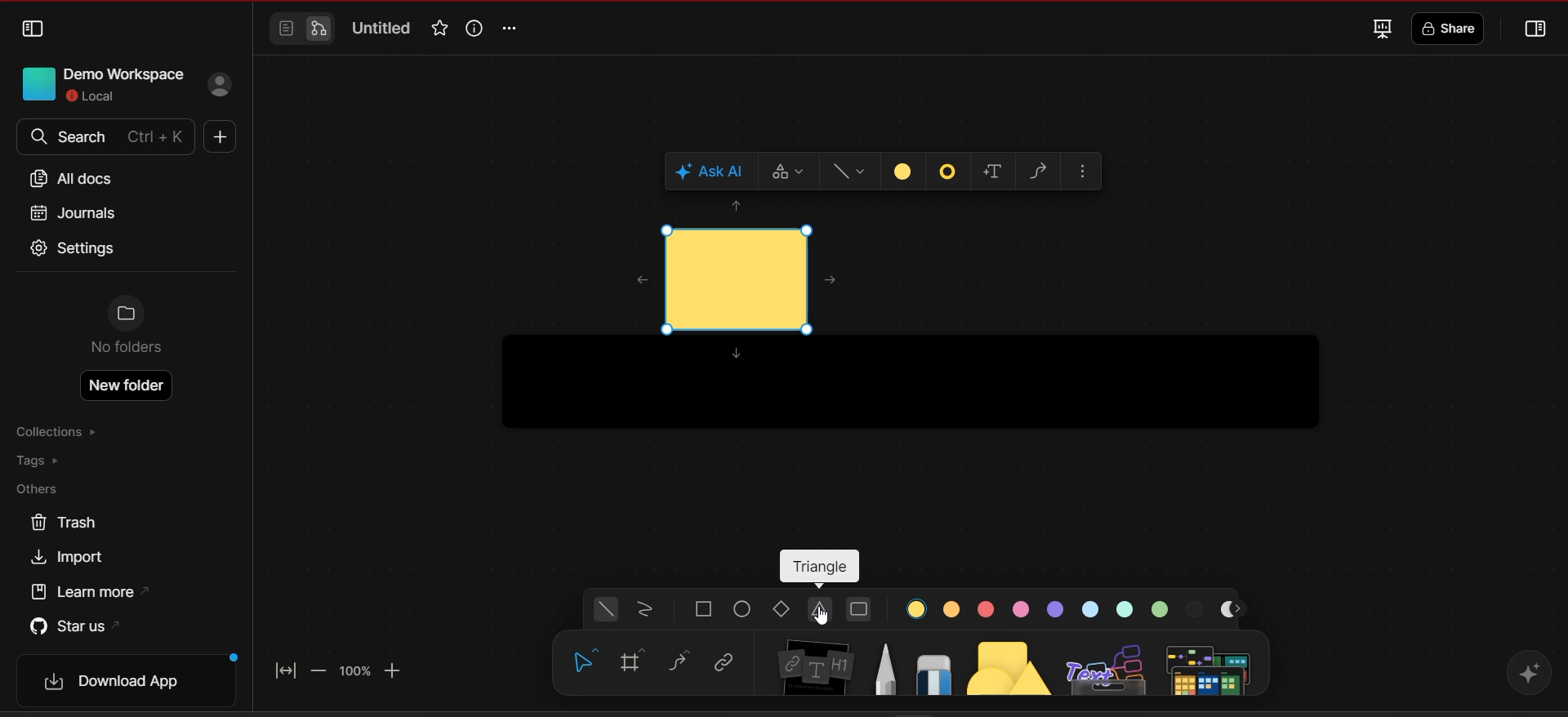 This screenshot has height=717, width=1568. I want to click on cursor and shape current location, so click(736, 280).